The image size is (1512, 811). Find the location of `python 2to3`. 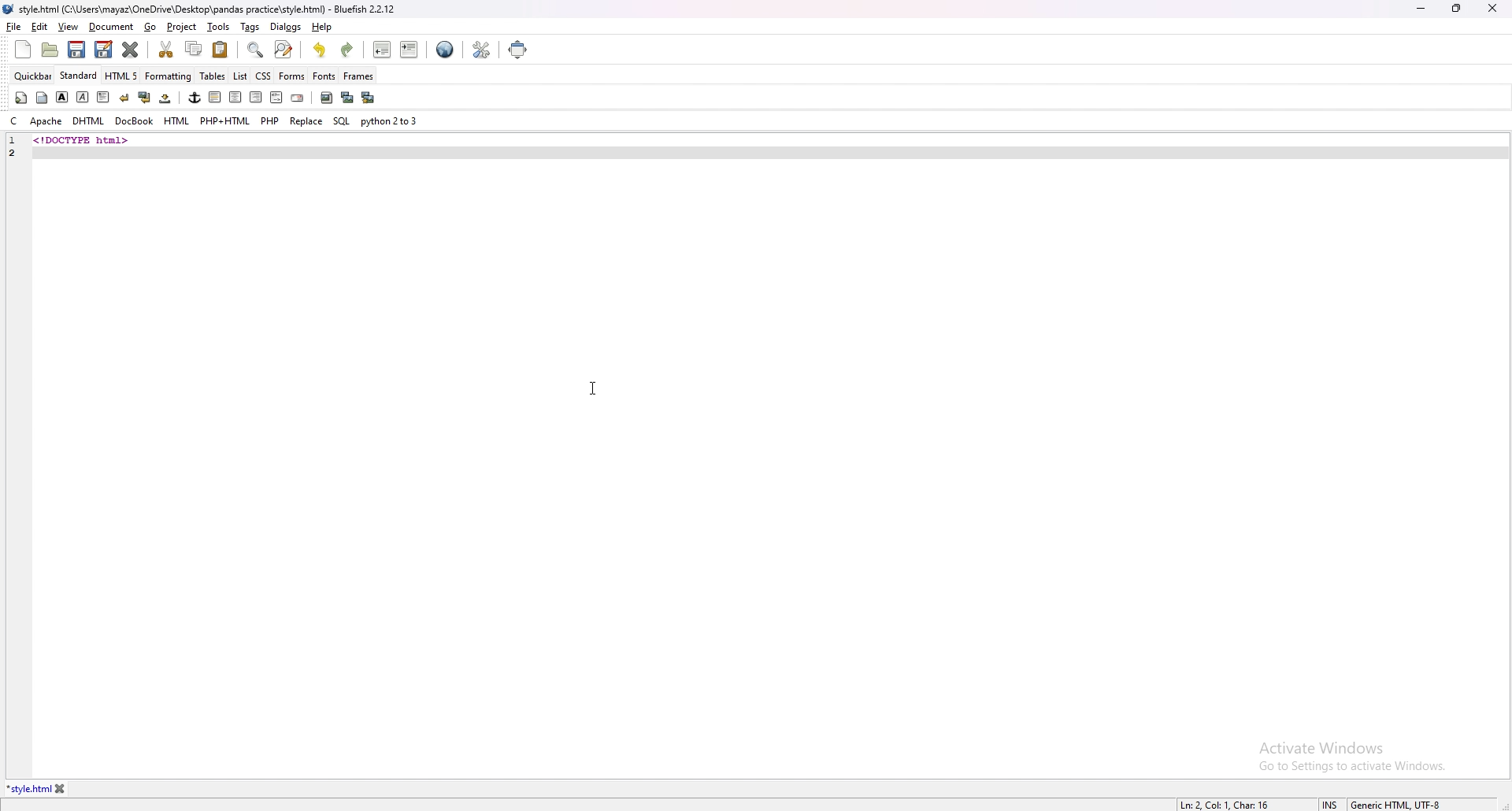

python 2to3 is located at coordinates (391, 121).